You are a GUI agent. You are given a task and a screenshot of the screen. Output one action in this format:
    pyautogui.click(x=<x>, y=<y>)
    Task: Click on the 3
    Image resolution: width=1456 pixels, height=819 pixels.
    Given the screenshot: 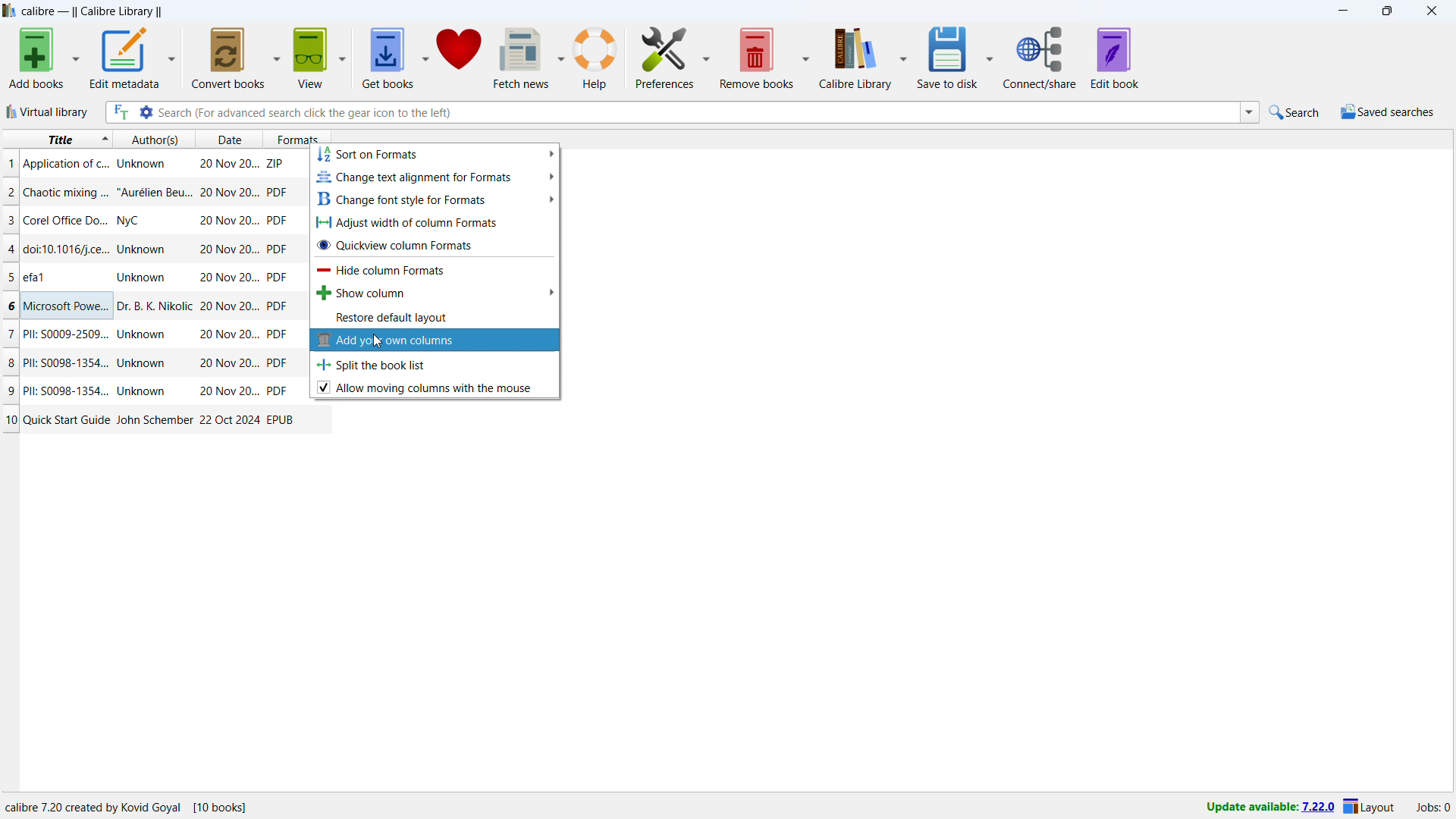 What is the action you would take?
    pyautogui.click(x=9, y=220)
    